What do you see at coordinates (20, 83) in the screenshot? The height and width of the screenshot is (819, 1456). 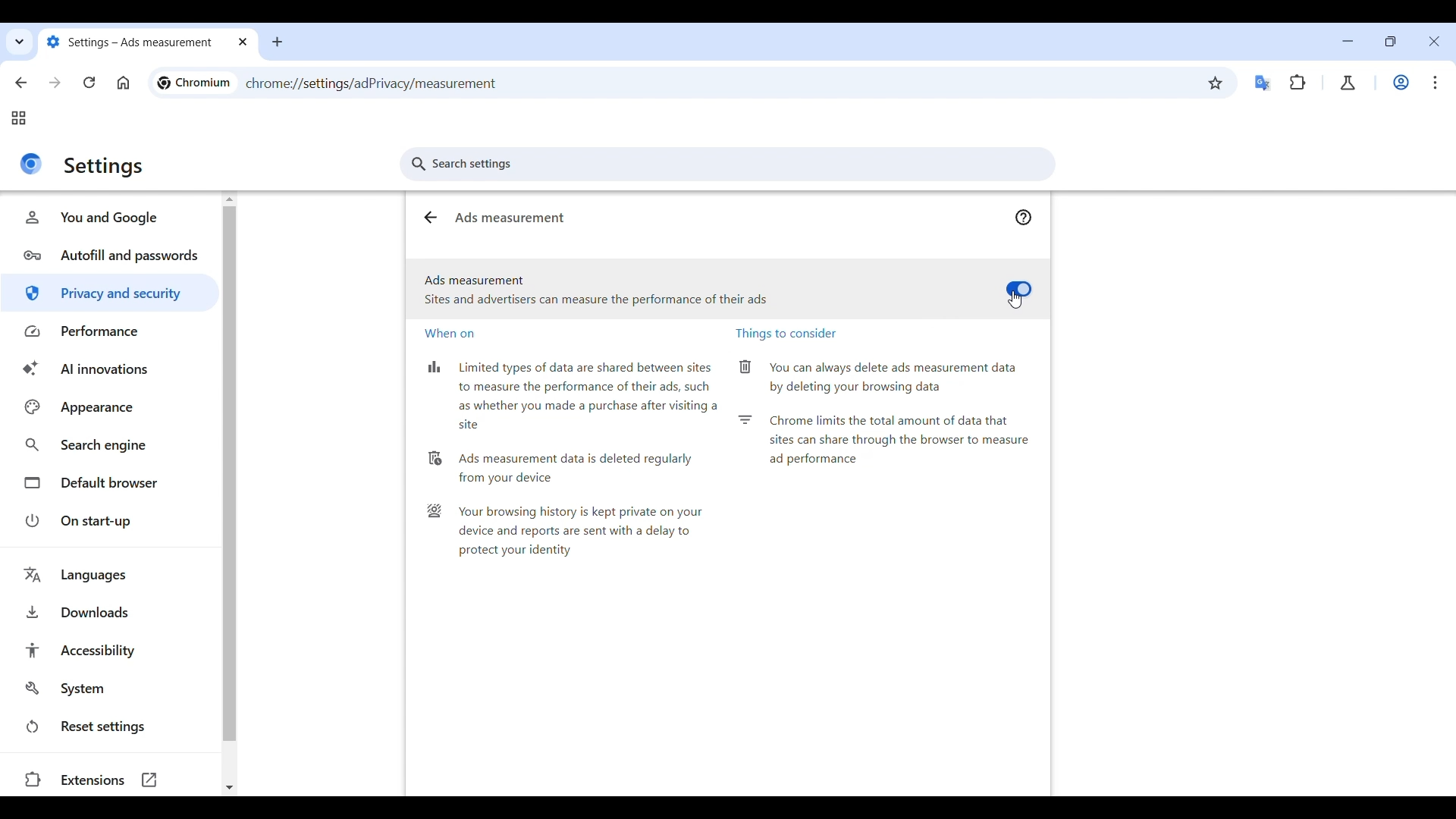 I see `Go back` at bounding box center [20, 83].